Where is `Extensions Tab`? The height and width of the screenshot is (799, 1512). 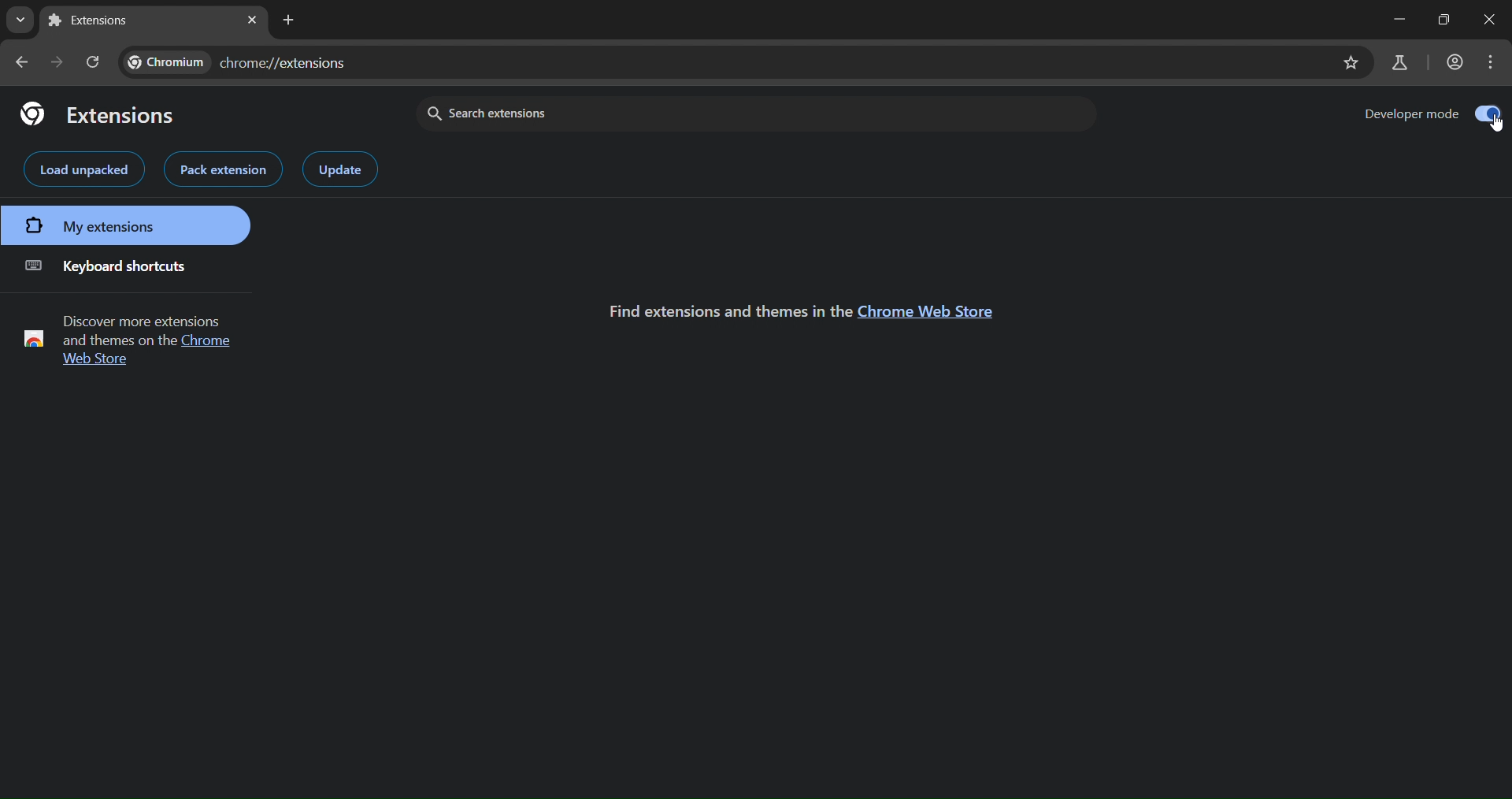
Extensions Tab is located at coordinates (99, 22).